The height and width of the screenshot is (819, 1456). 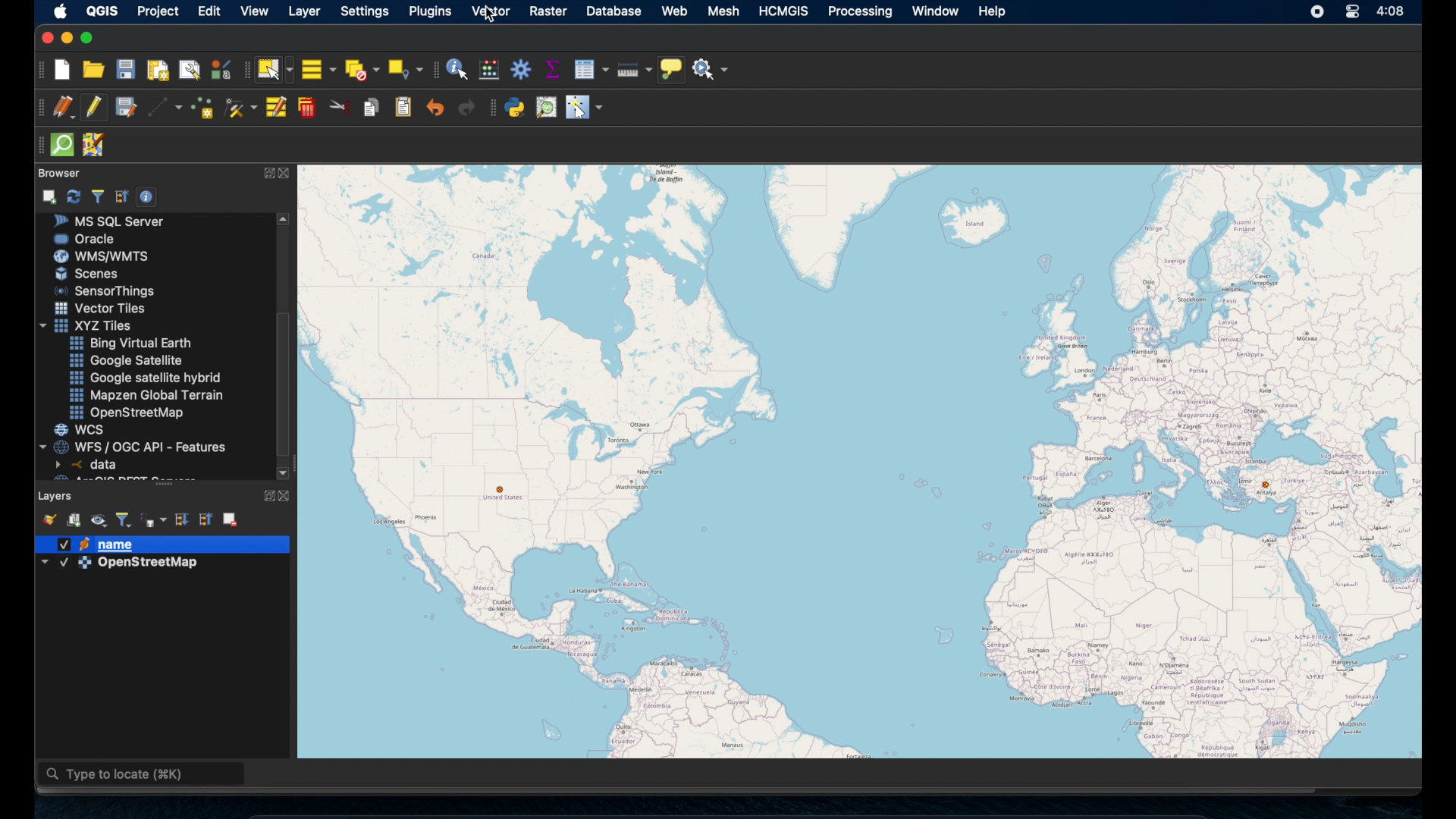 I want to click on style manager, so click(x=220, y=69).